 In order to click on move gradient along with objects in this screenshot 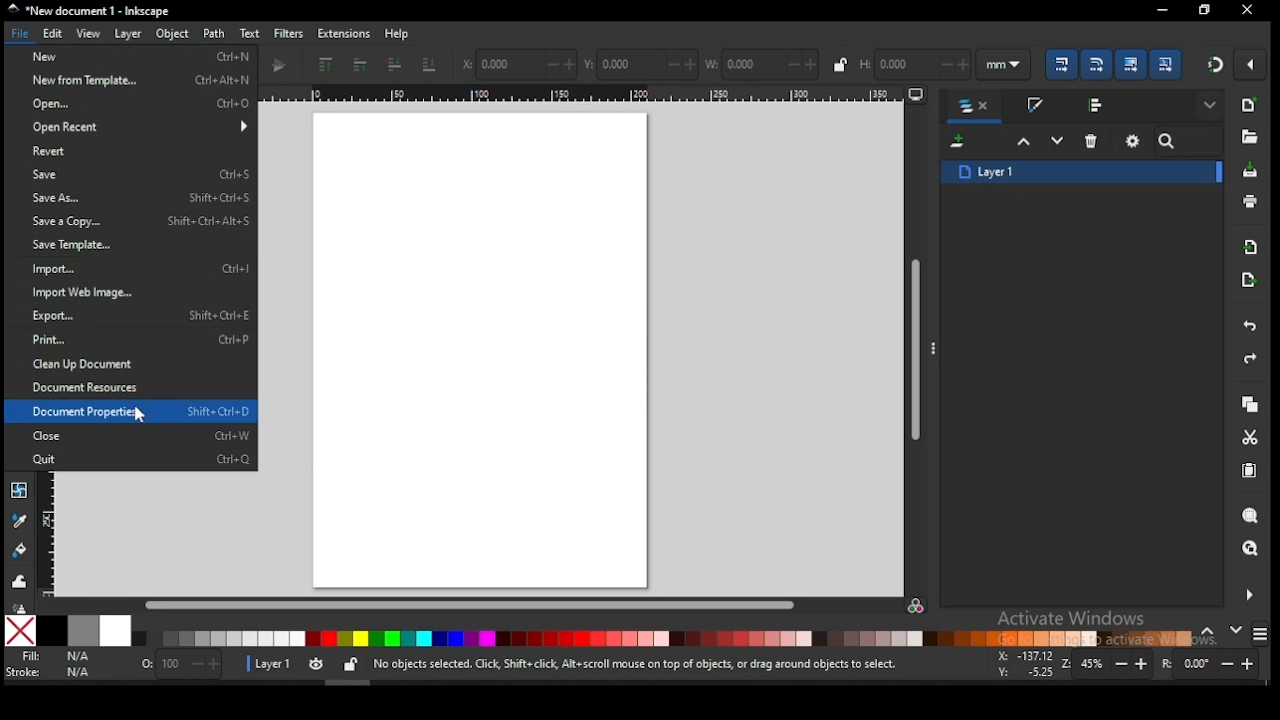, I will do `click(1131, 64)`.